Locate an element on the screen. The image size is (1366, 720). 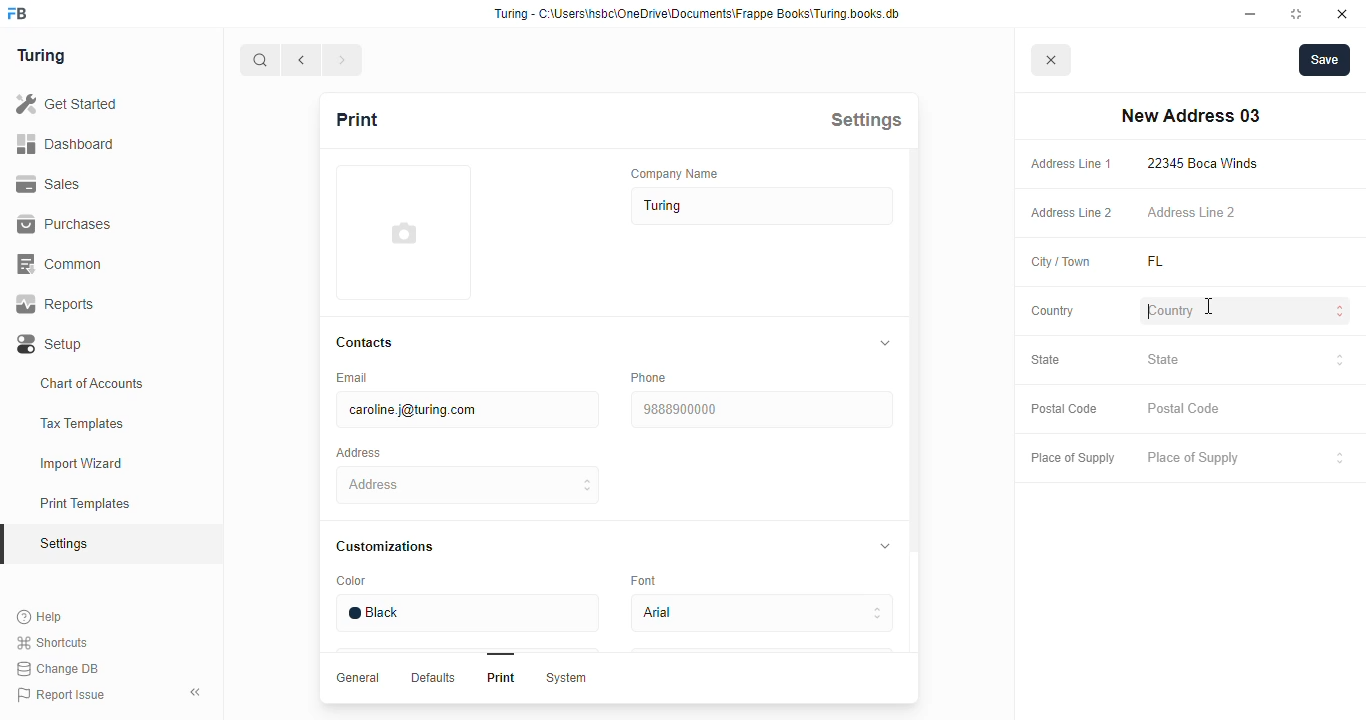
address line 1 is located at coordinates (1071, 164).